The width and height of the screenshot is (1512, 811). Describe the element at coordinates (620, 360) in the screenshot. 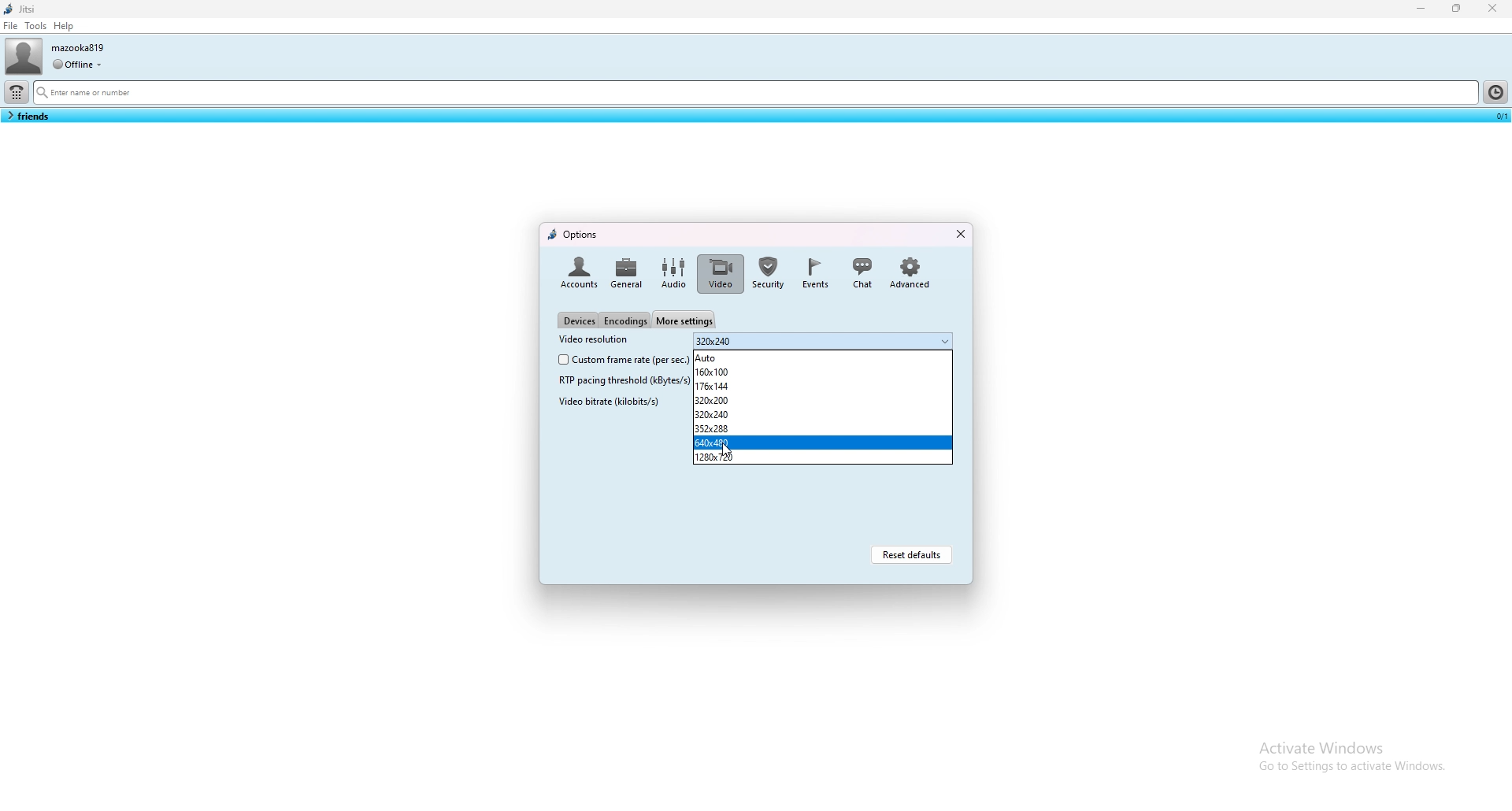

I see `Custom frame rate(per sec.)` at that location.